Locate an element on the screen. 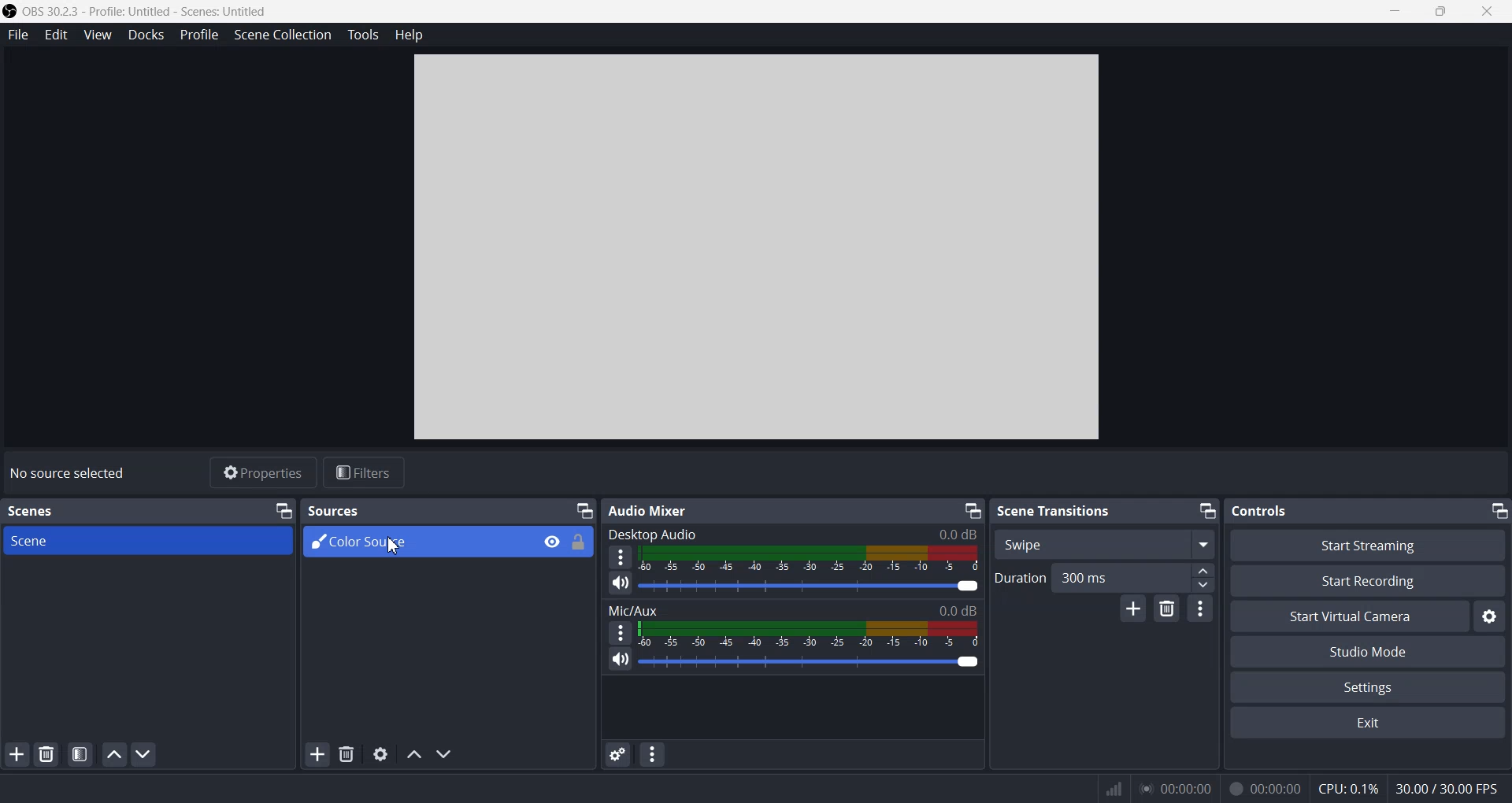 This screenshot has height=803, width=1512. Signals is located at coordinates (1106, 787).